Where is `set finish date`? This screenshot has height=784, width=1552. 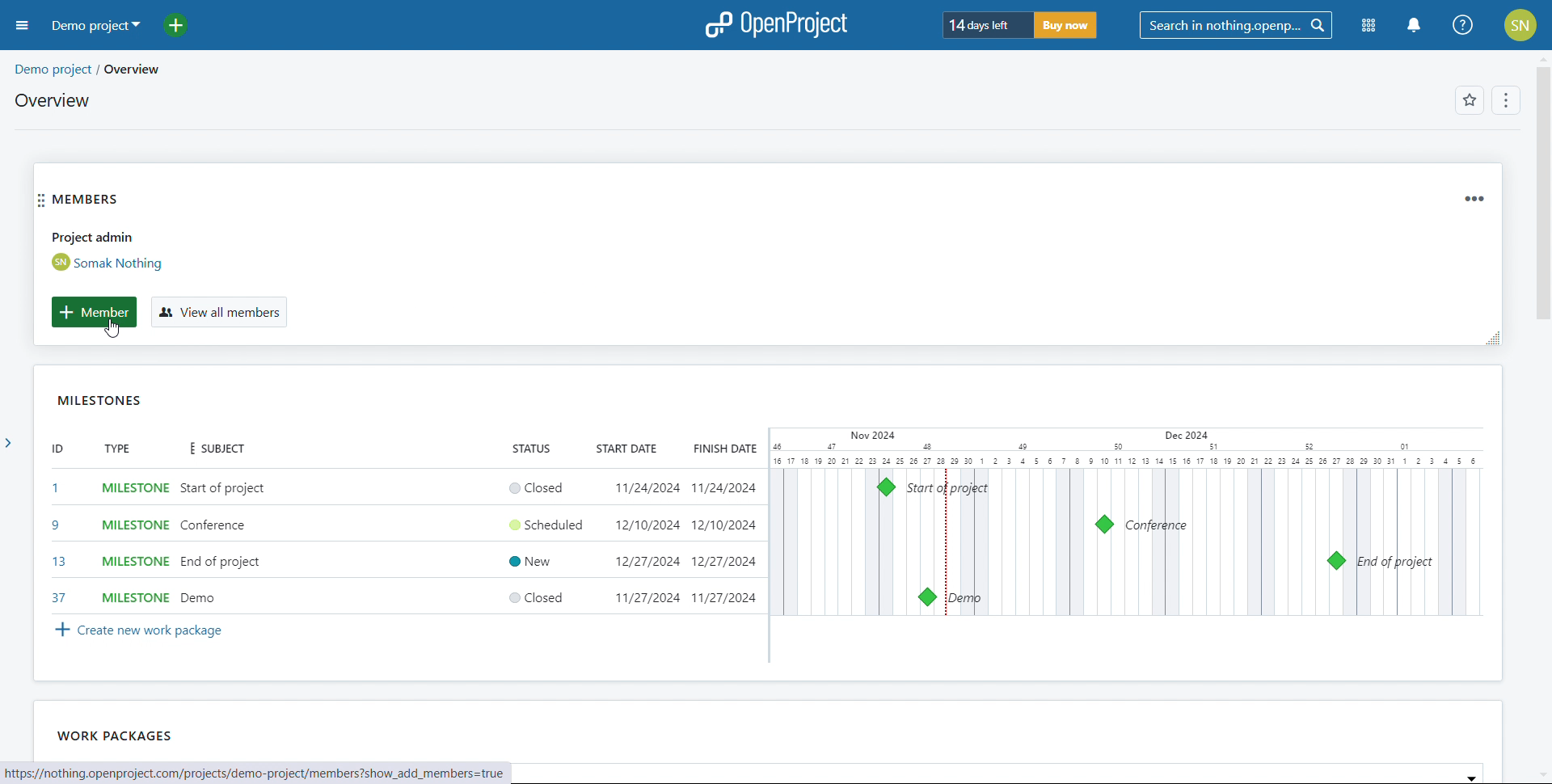
set finish date is located at coordinates (723, 488).